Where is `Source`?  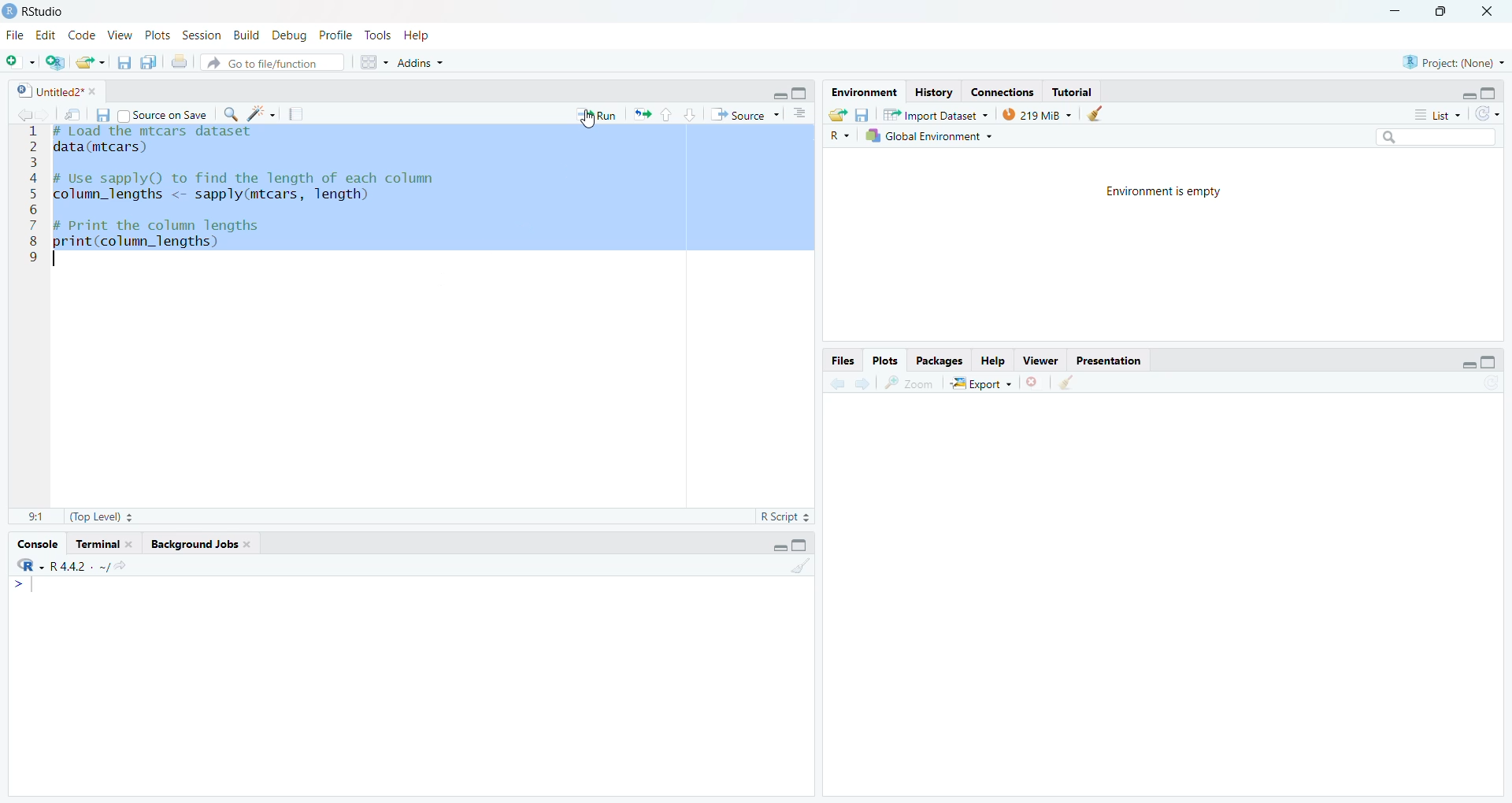
Source is located at coordinates (744, 114).